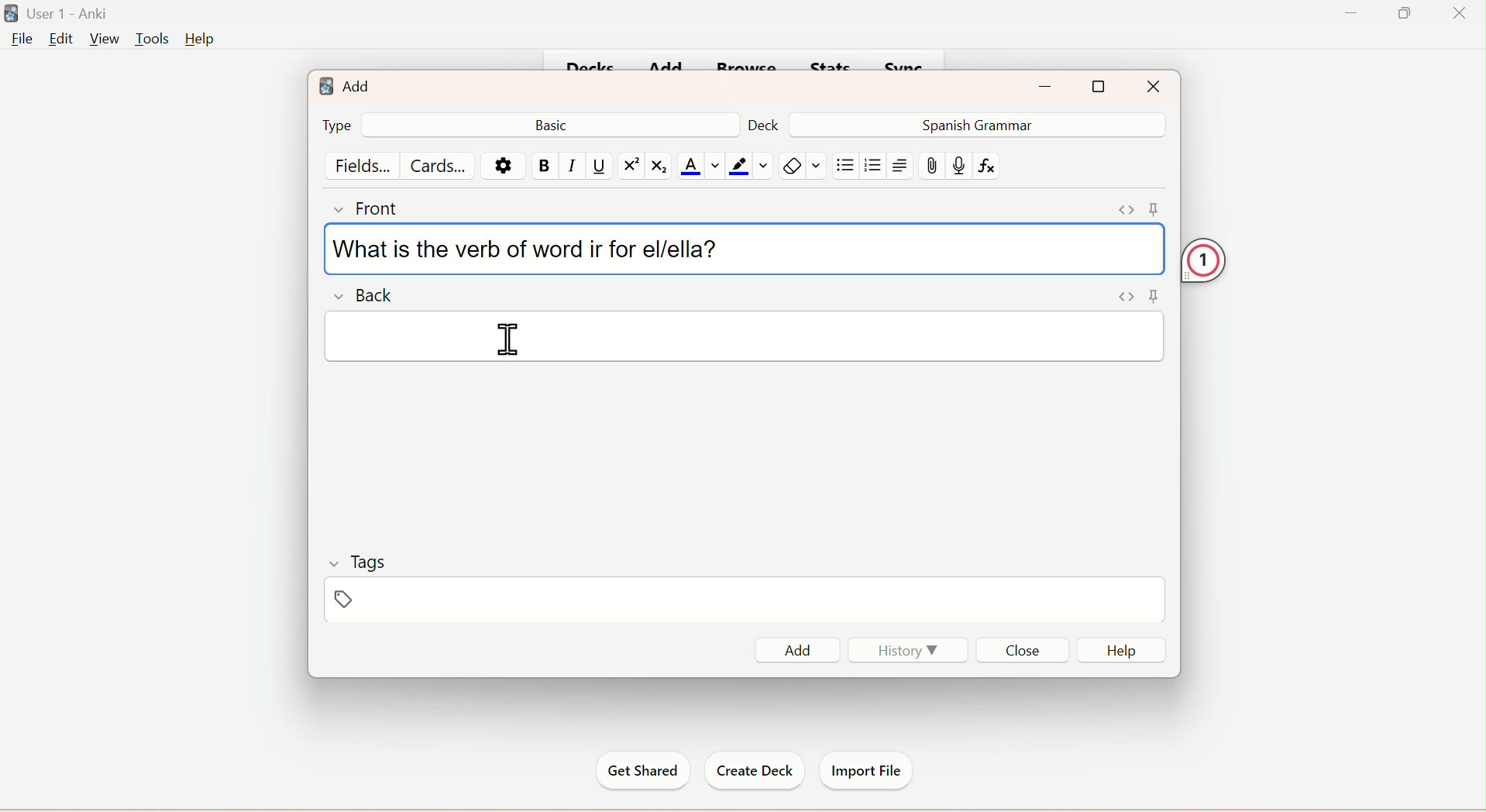  Describe the element at coordinates (365, 295) in the screenshot. I see `` at that location.